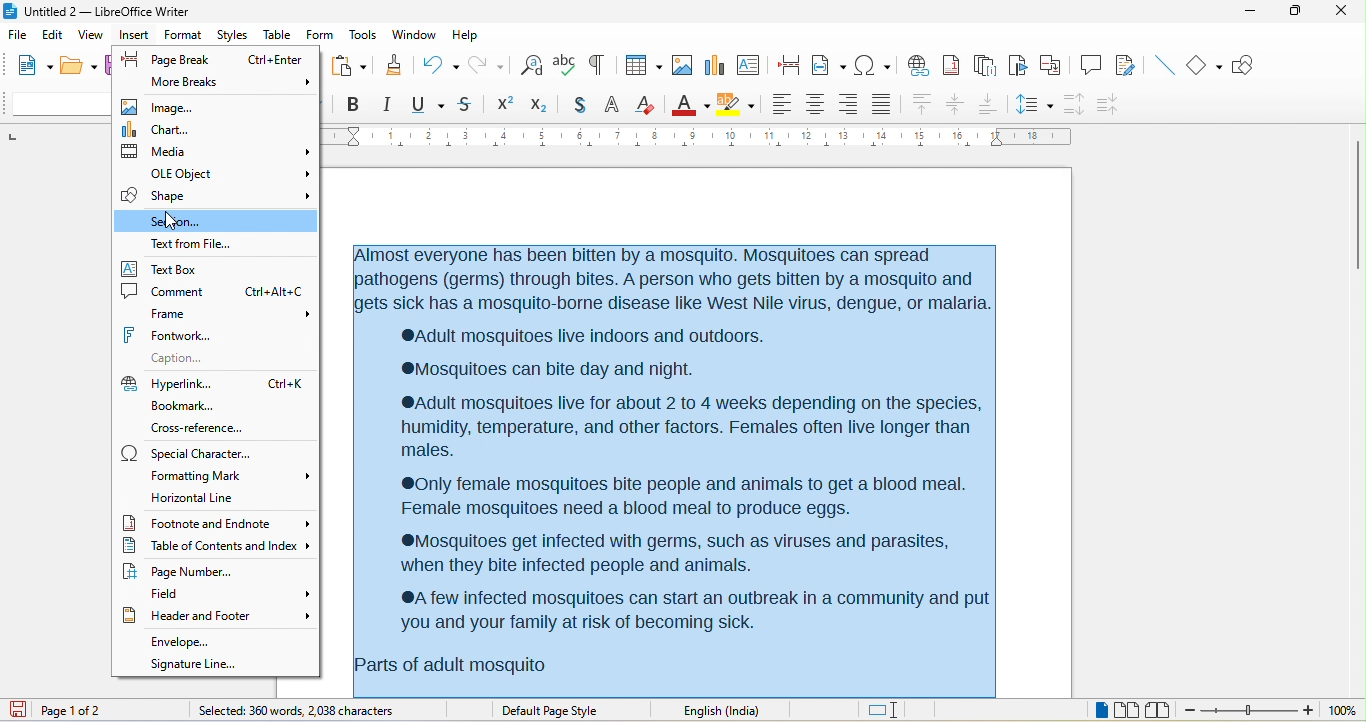 The image size is (1366, 722). Describe the element at coordinates (1090, 64) in the screenshot. I see `comment` at that location.